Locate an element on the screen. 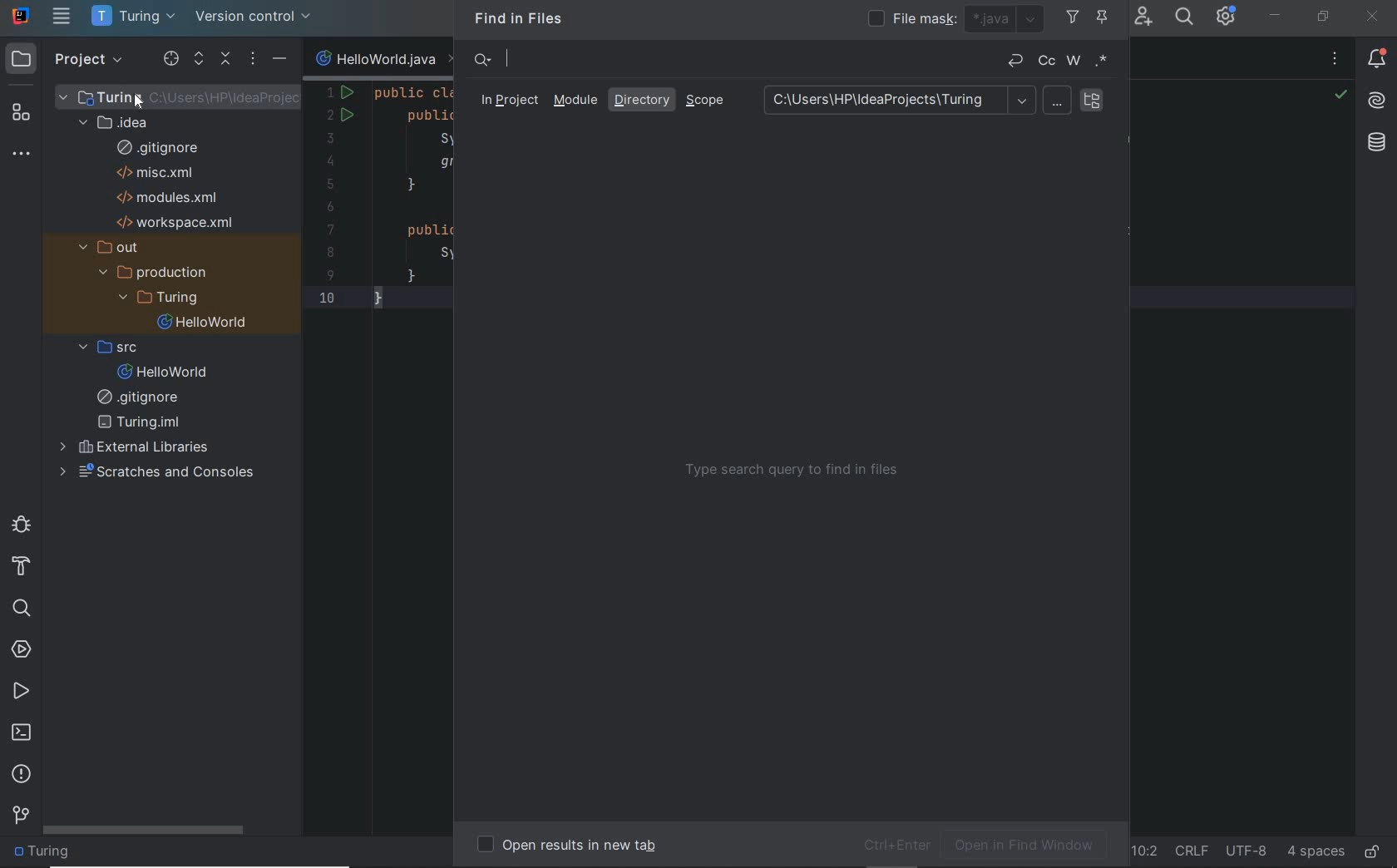 The width and height of the screenshot is (1397, 868). file mask is located at coordinates (913, 17).